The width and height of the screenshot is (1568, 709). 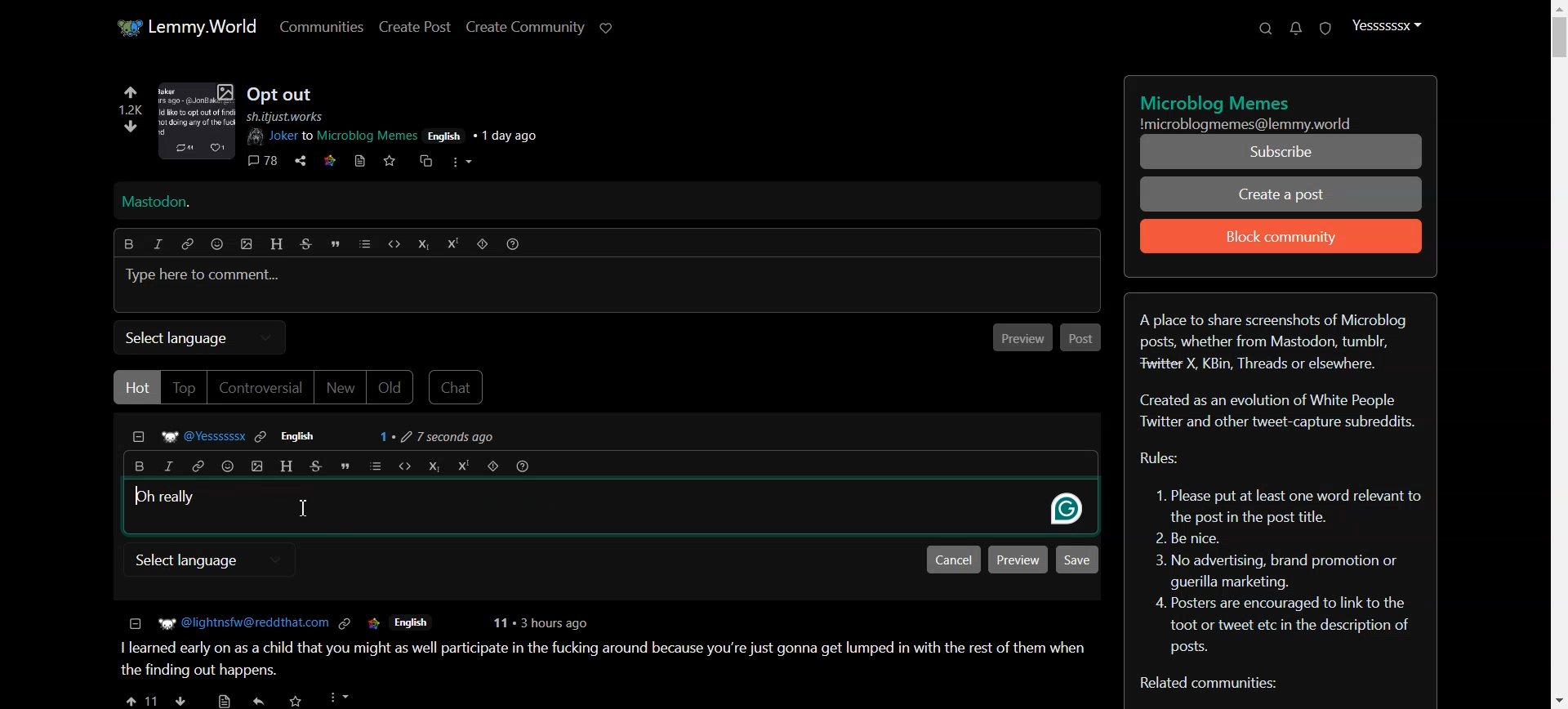 I want to click on Top, so click(x=184, y=388).